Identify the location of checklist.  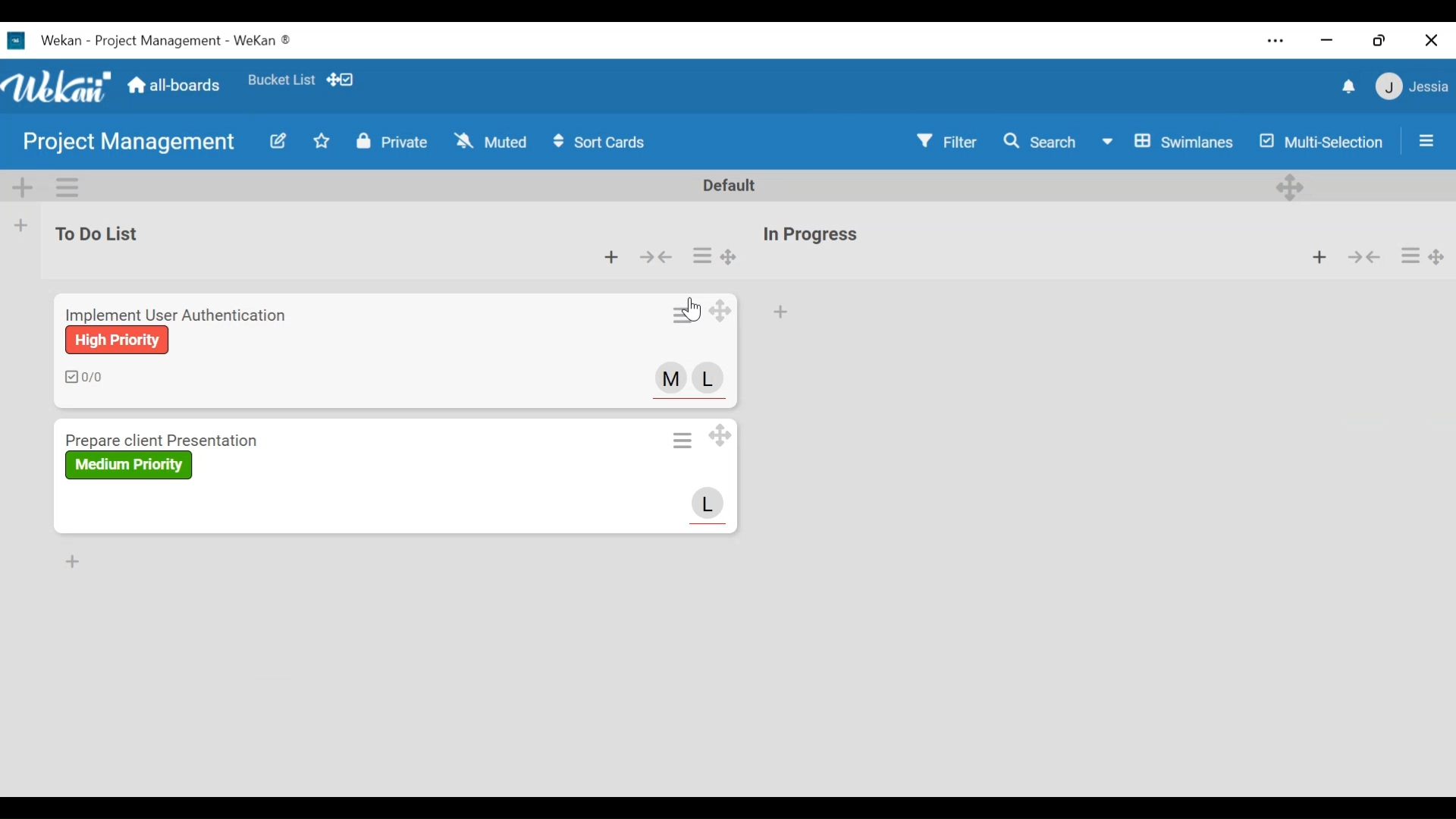
(83, 375).